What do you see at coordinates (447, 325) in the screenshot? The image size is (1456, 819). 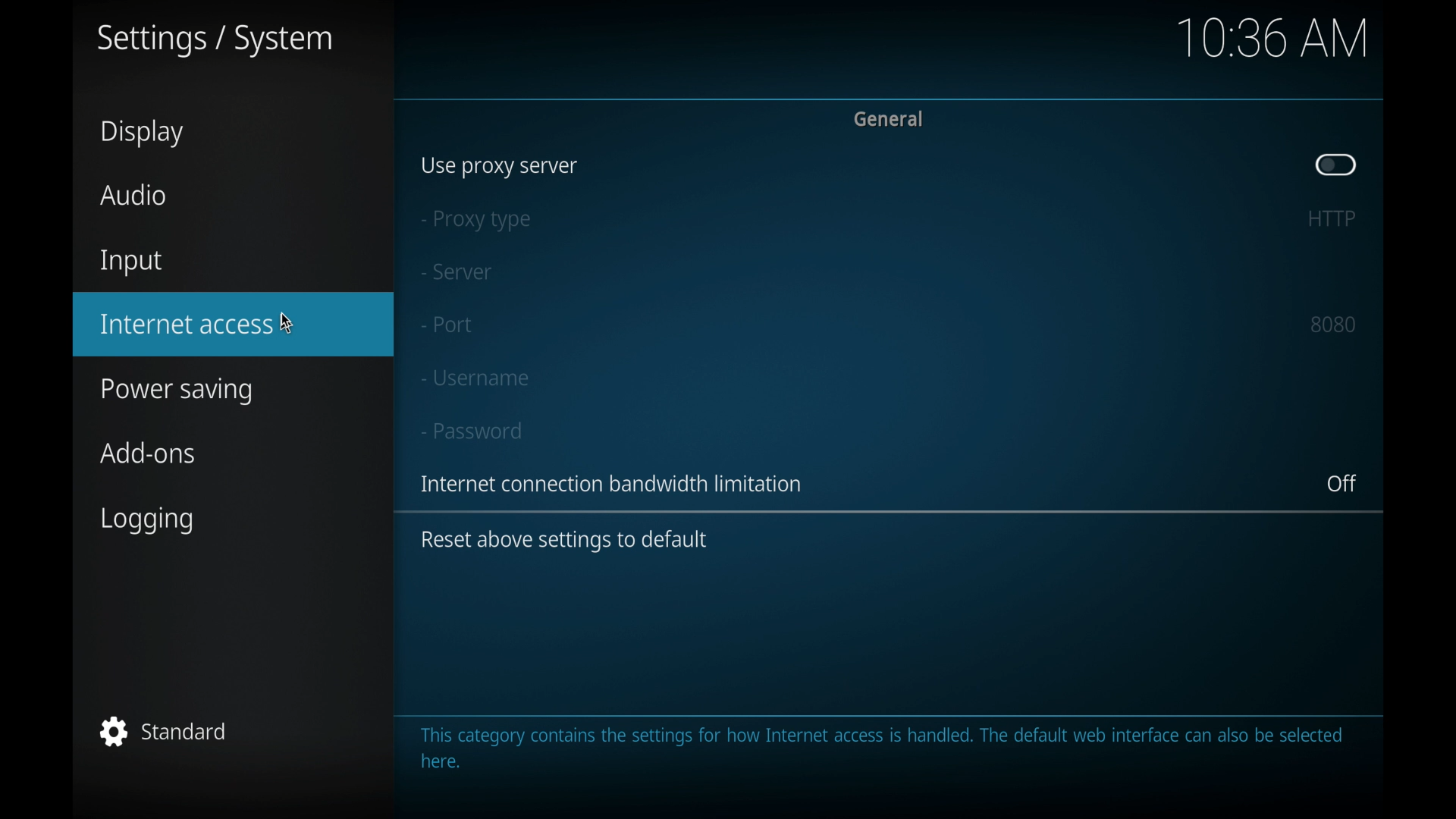 I see `port` at bounding box center [447, 325].